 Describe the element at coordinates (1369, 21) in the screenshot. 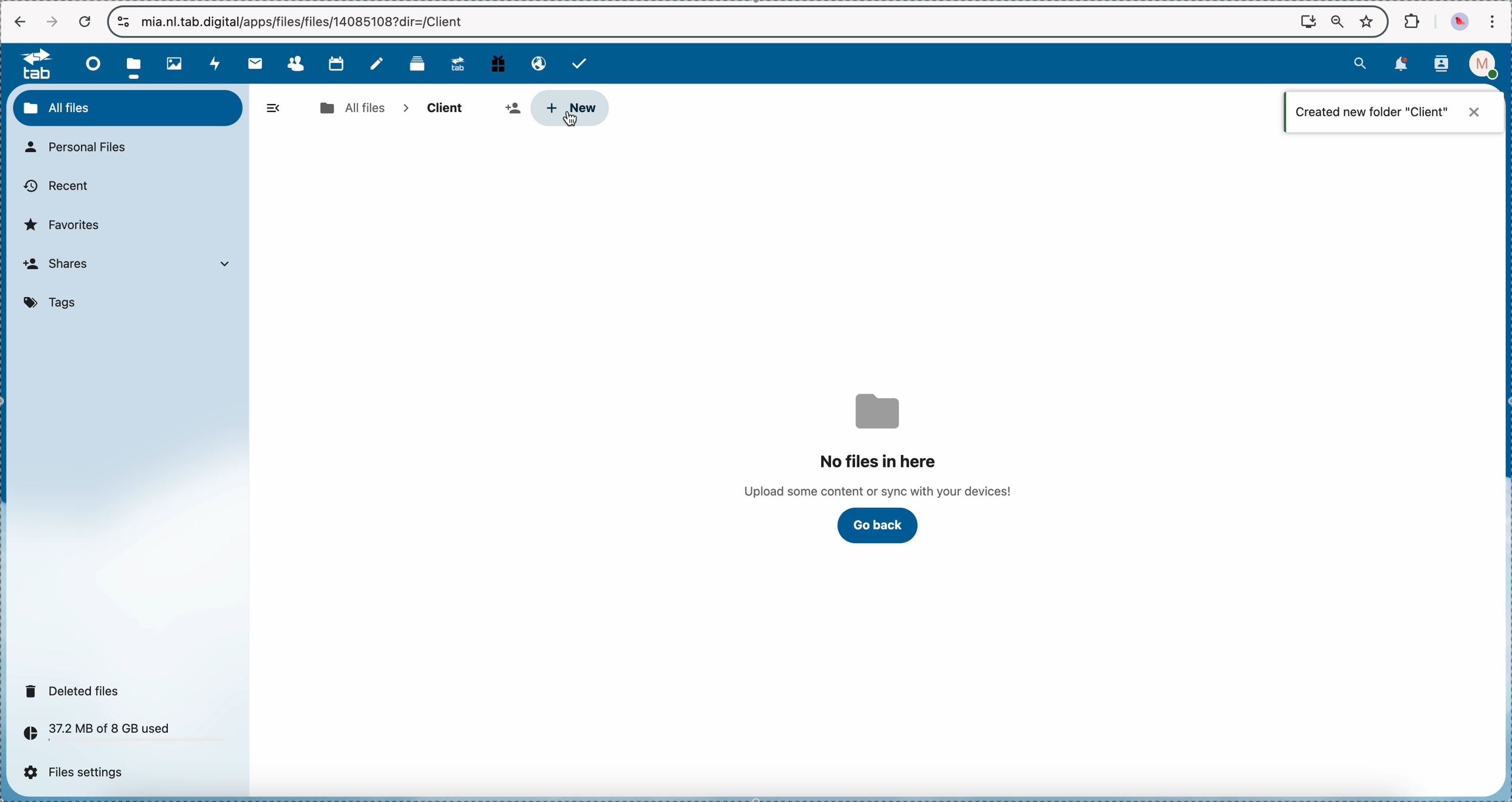

I see `favorites` at that location.